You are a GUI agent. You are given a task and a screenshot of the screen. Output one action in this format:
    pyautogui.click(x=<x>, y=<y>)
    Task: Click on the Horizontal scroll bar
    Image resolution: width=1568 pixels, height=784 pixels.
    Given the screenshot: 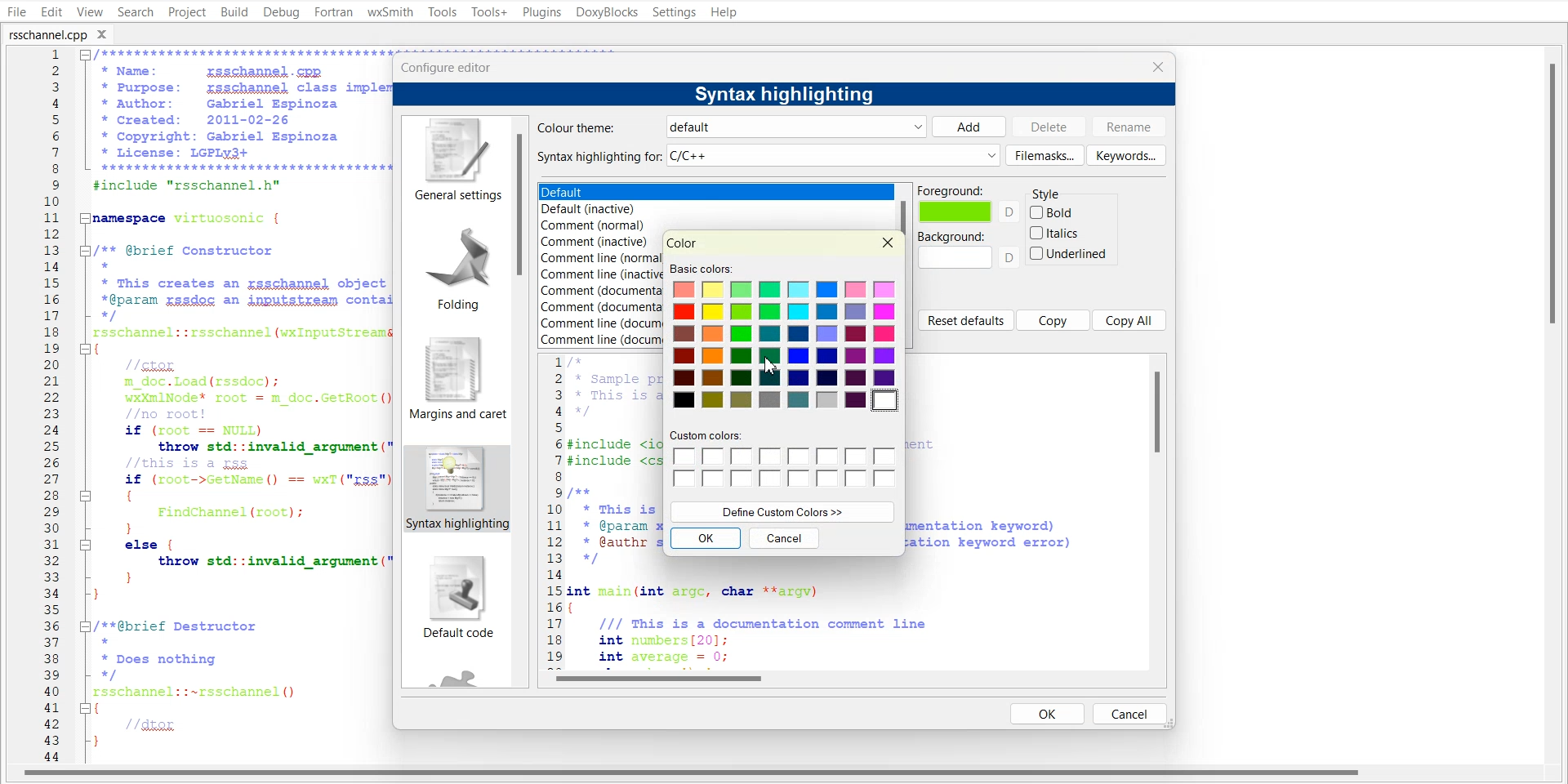 What is the action you would take?
    pyautogui.click(x=853, y=678)
    